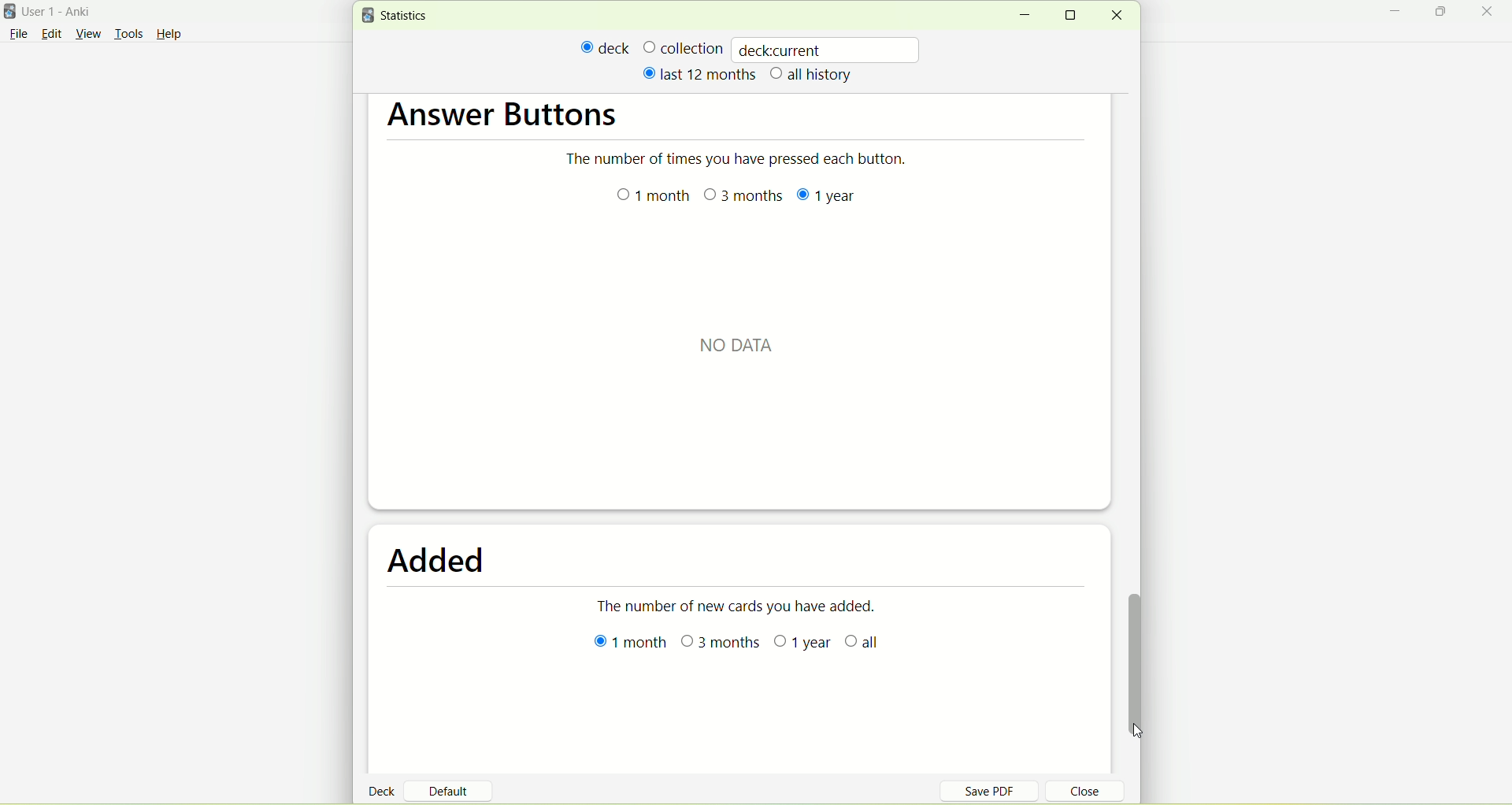 The width and height of the screenshot is (1512, 805). Describe the element at coordinates (169, 36) in the screenshot. I see `Help` at that location.